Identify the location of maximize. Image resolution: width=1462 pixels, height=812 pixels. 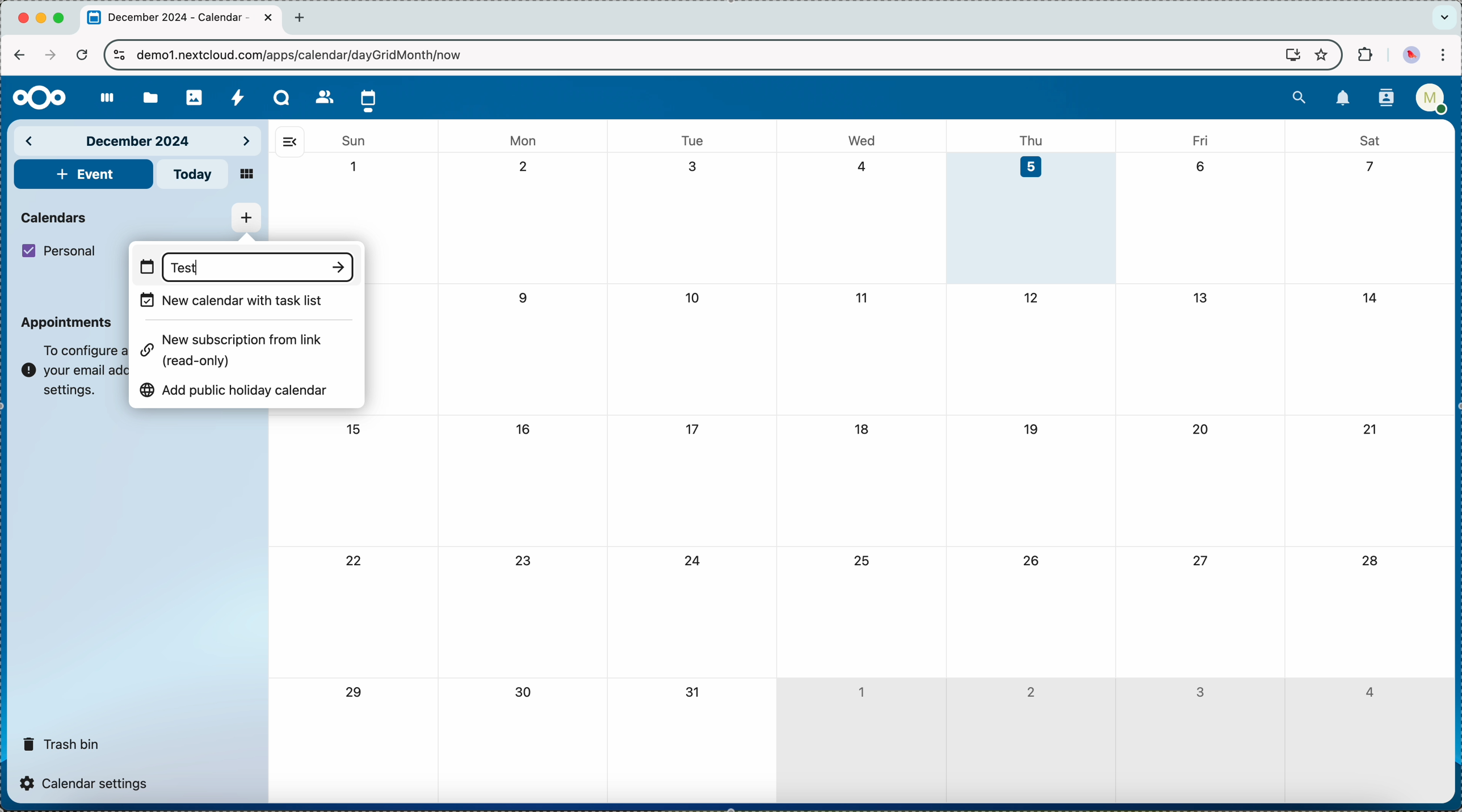
(61, 18).